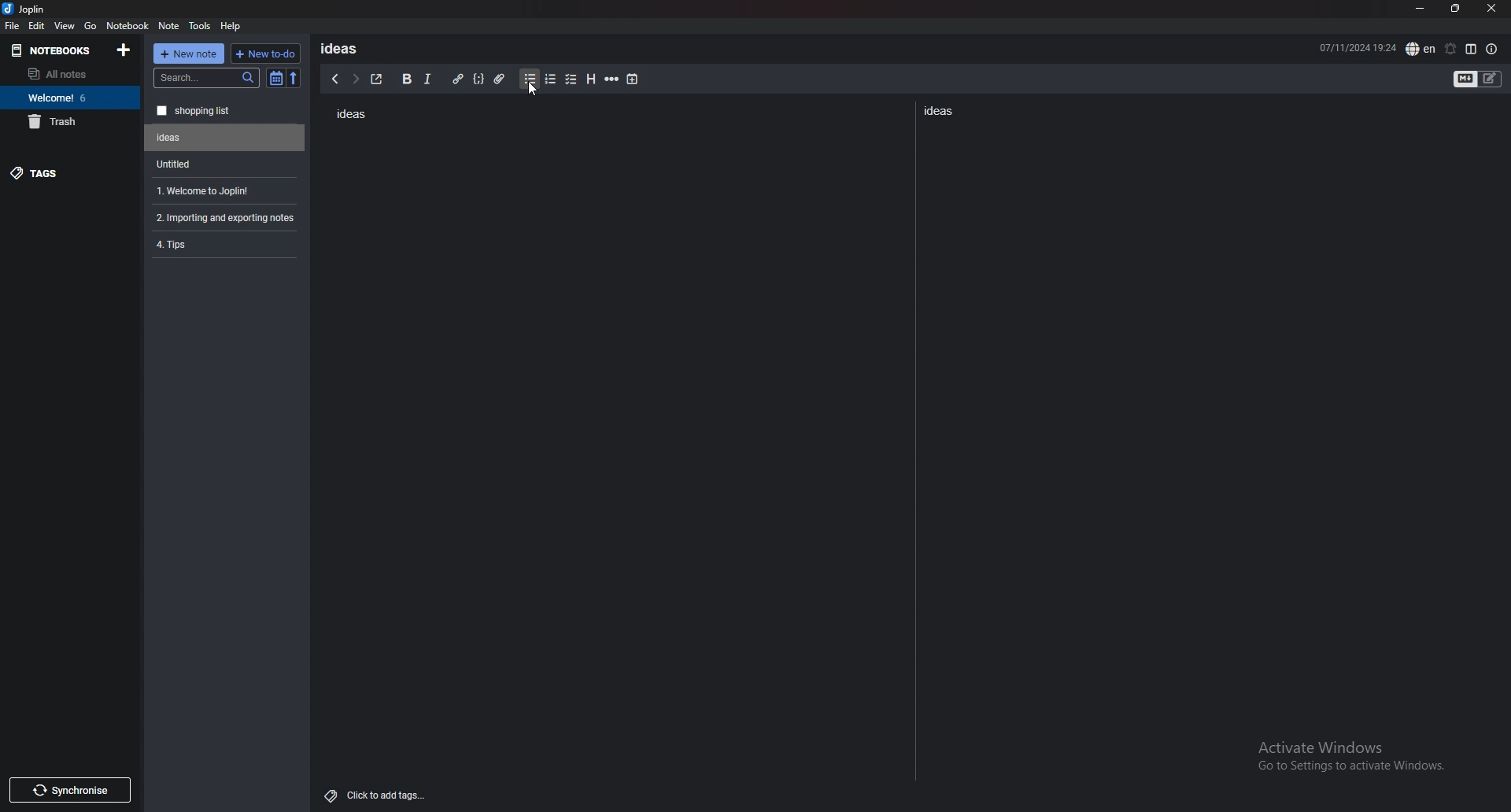  I want to click on spell check, so click(1420, 49).